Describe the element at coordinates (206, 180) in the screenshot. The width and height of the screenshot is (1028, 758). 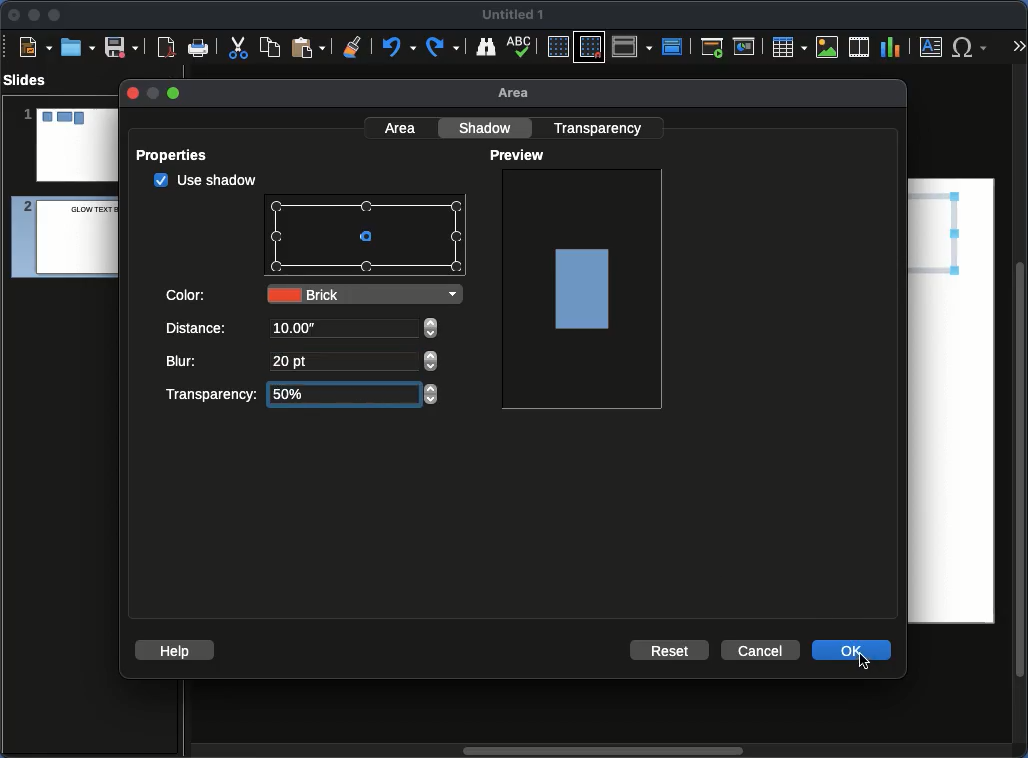
I see `checked Use shadow` at that location.